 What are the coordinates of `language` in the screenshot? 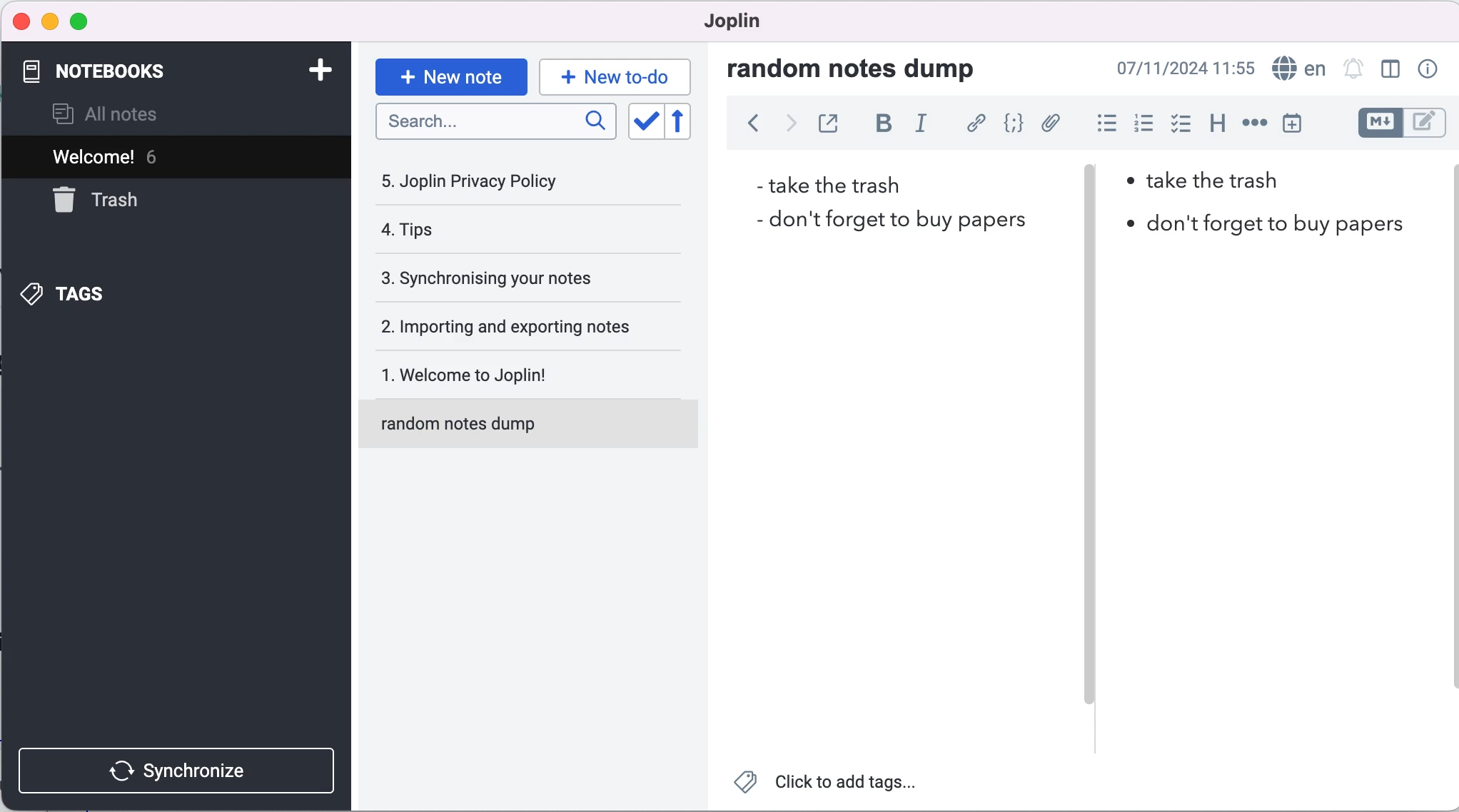 It's located at (1298, 67).